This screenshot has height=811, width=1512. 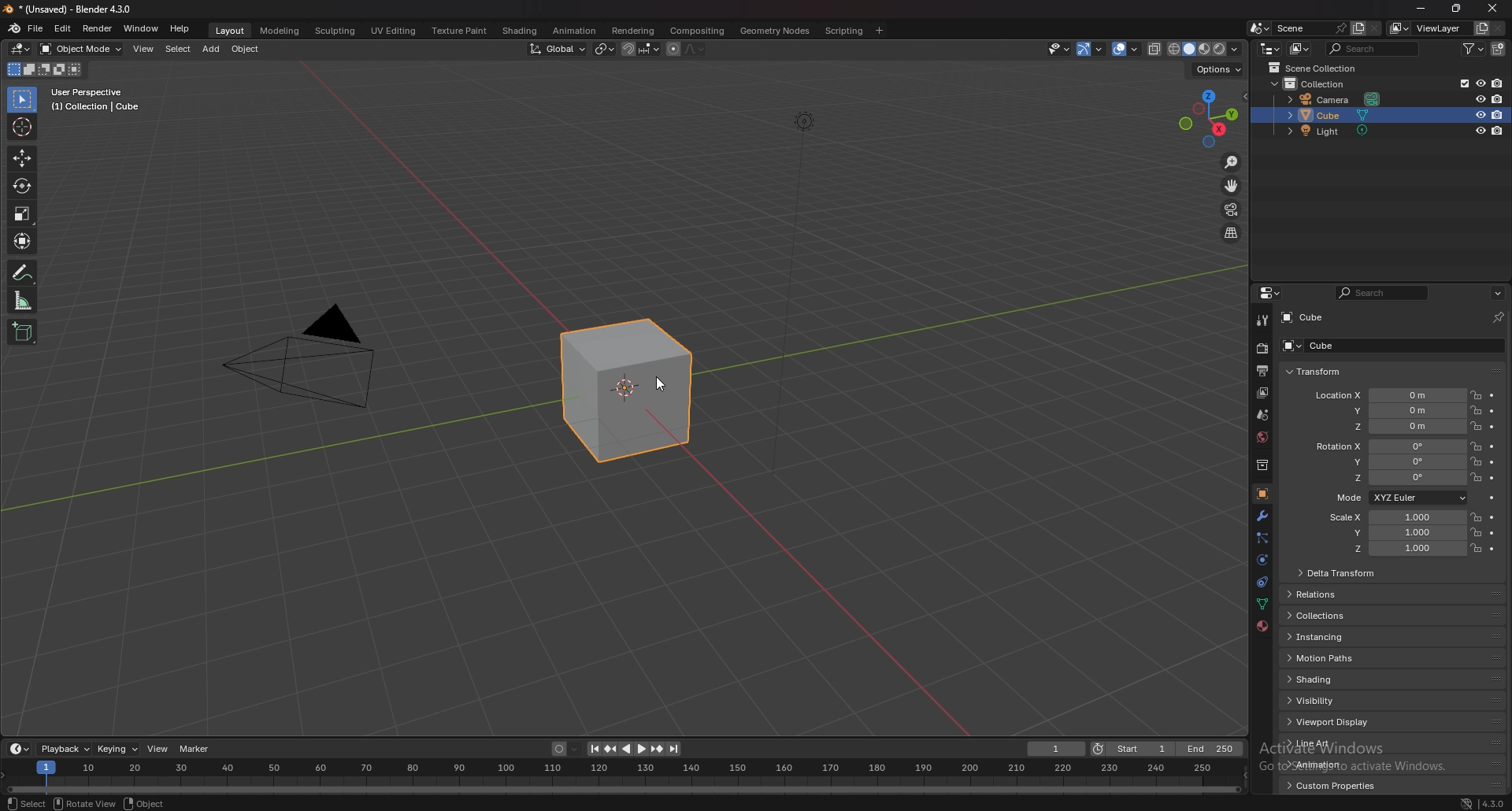 I want to click on filter, so click(x=1475, y=48).